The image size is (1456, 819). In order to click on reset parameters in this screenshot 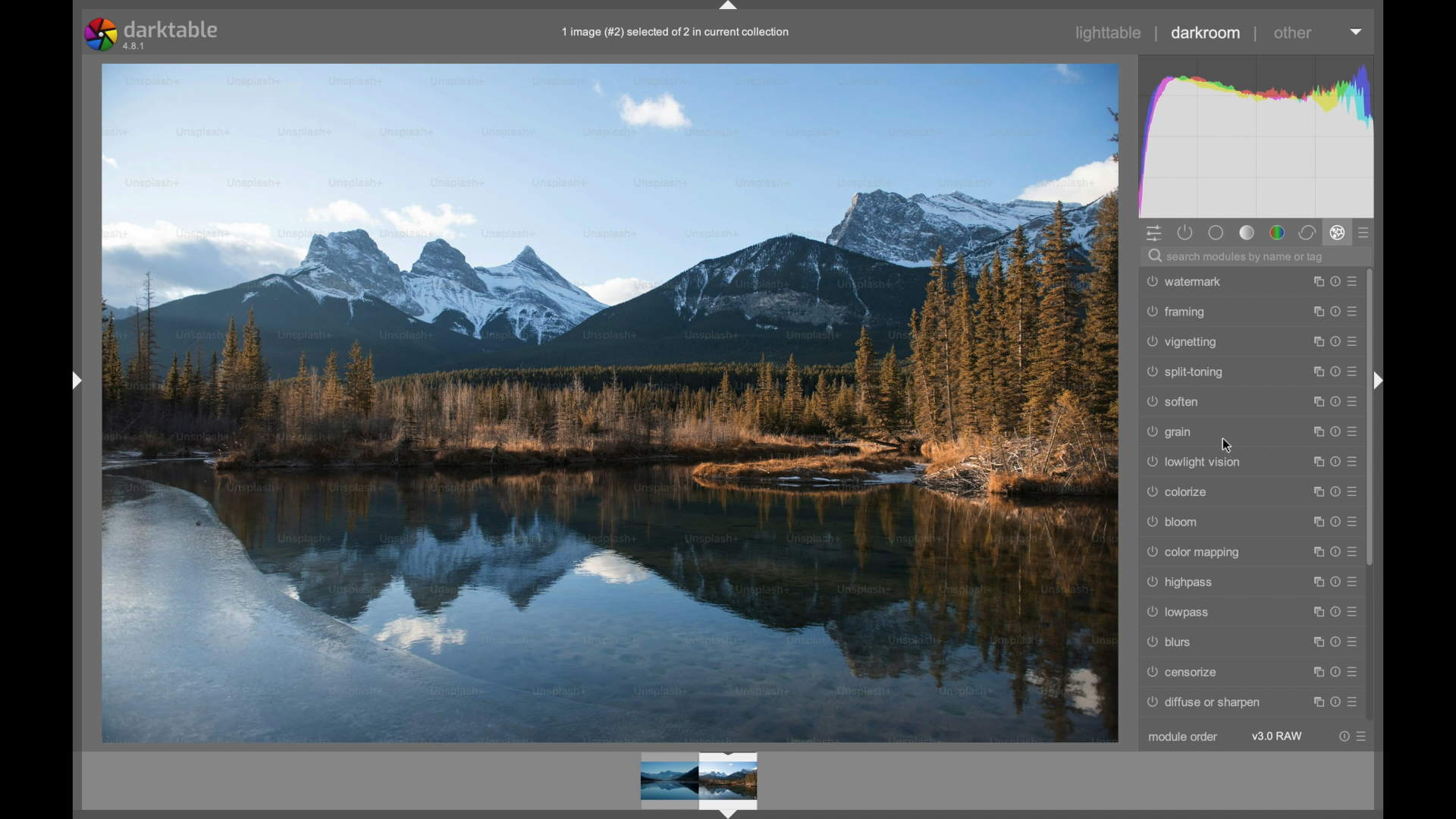, I will do `click(1335, 431)`.